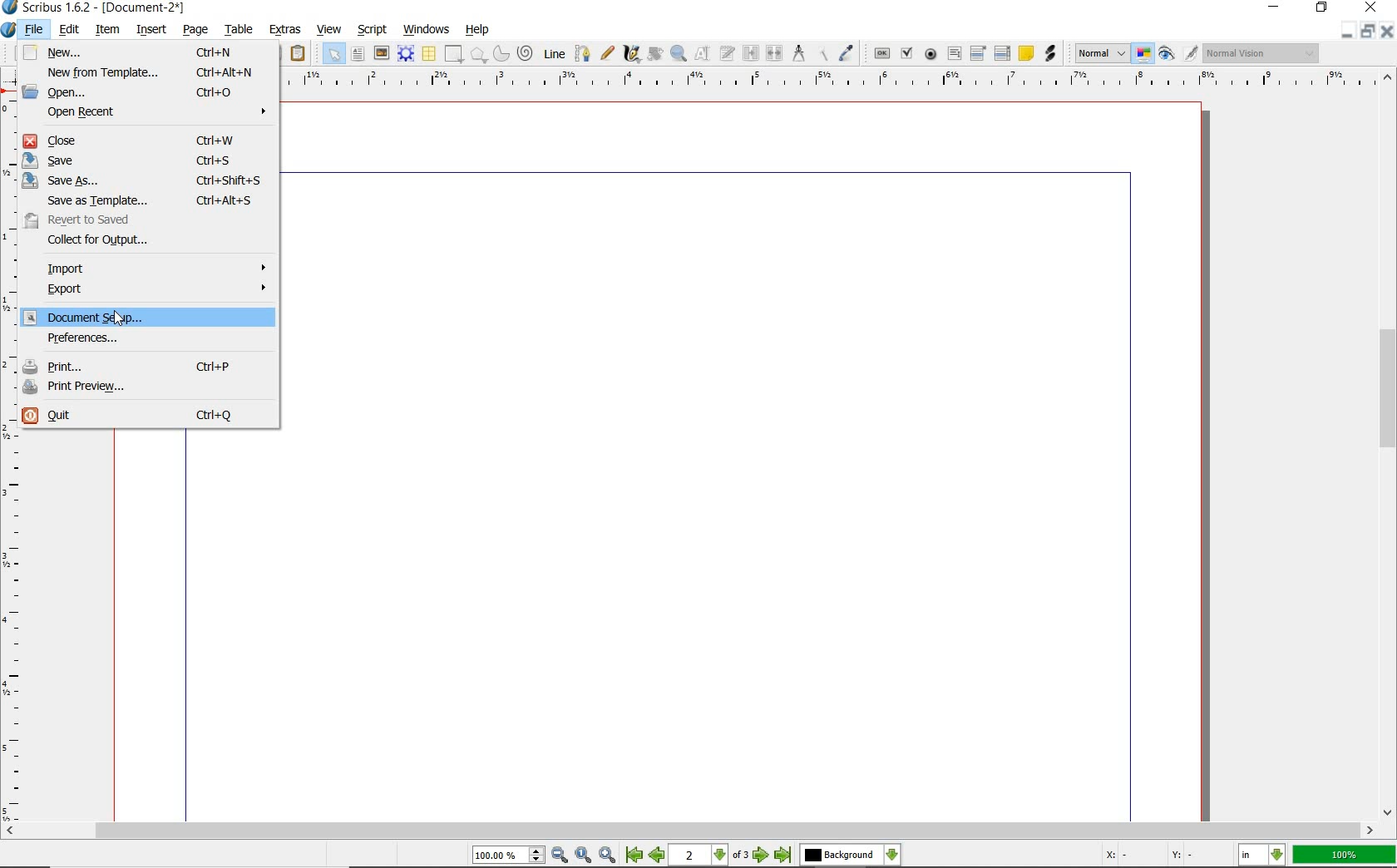 The width and height of the screenshot is (1397, 868). What do you see at coordinates (584, 856) in the screenshot?
I see `Zoom to 100%` at bounding box center [584, 856].